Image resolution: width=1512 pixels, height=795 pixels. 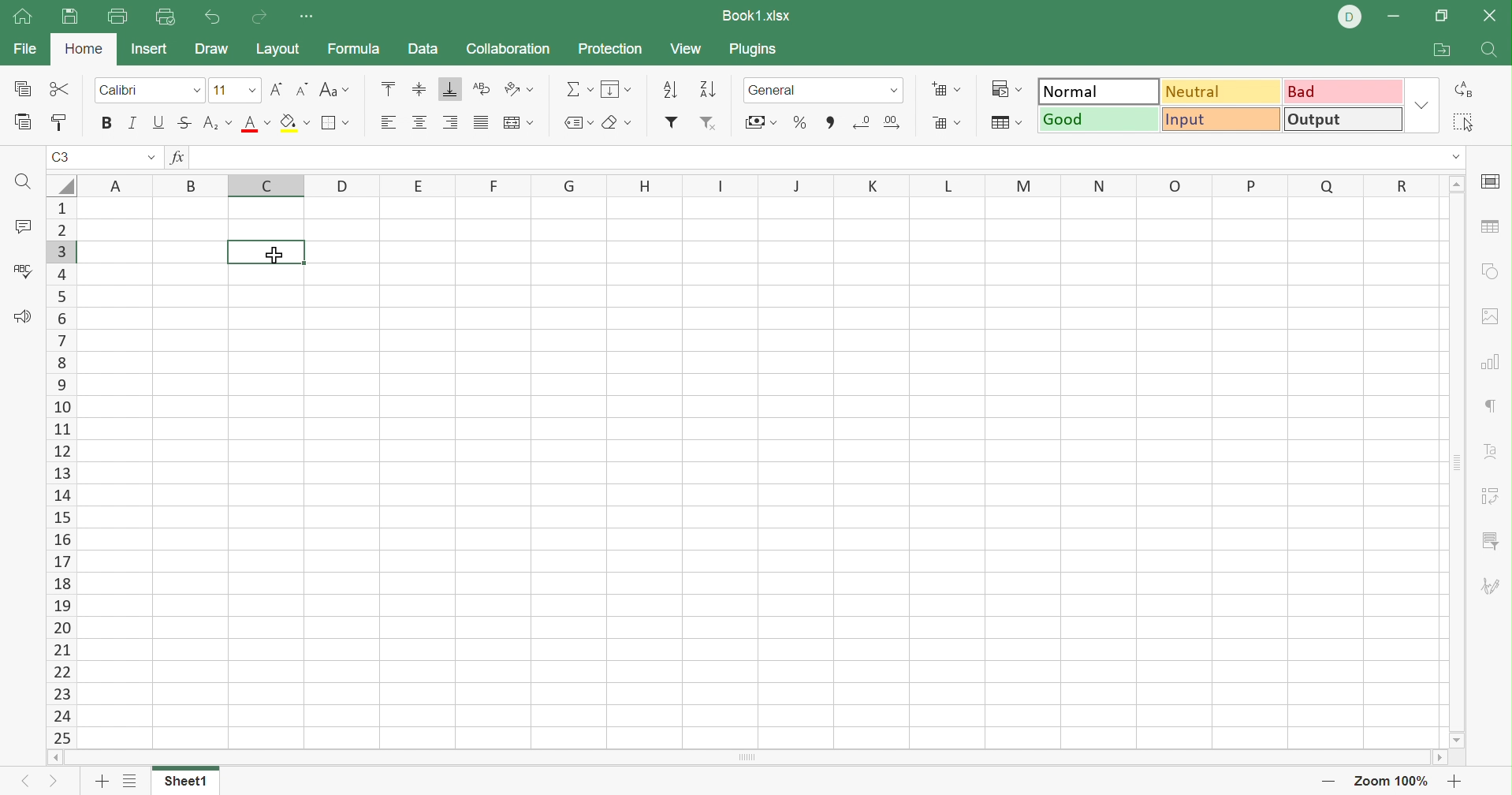 I want to click on Open file location, so click(x=1439, y=48).